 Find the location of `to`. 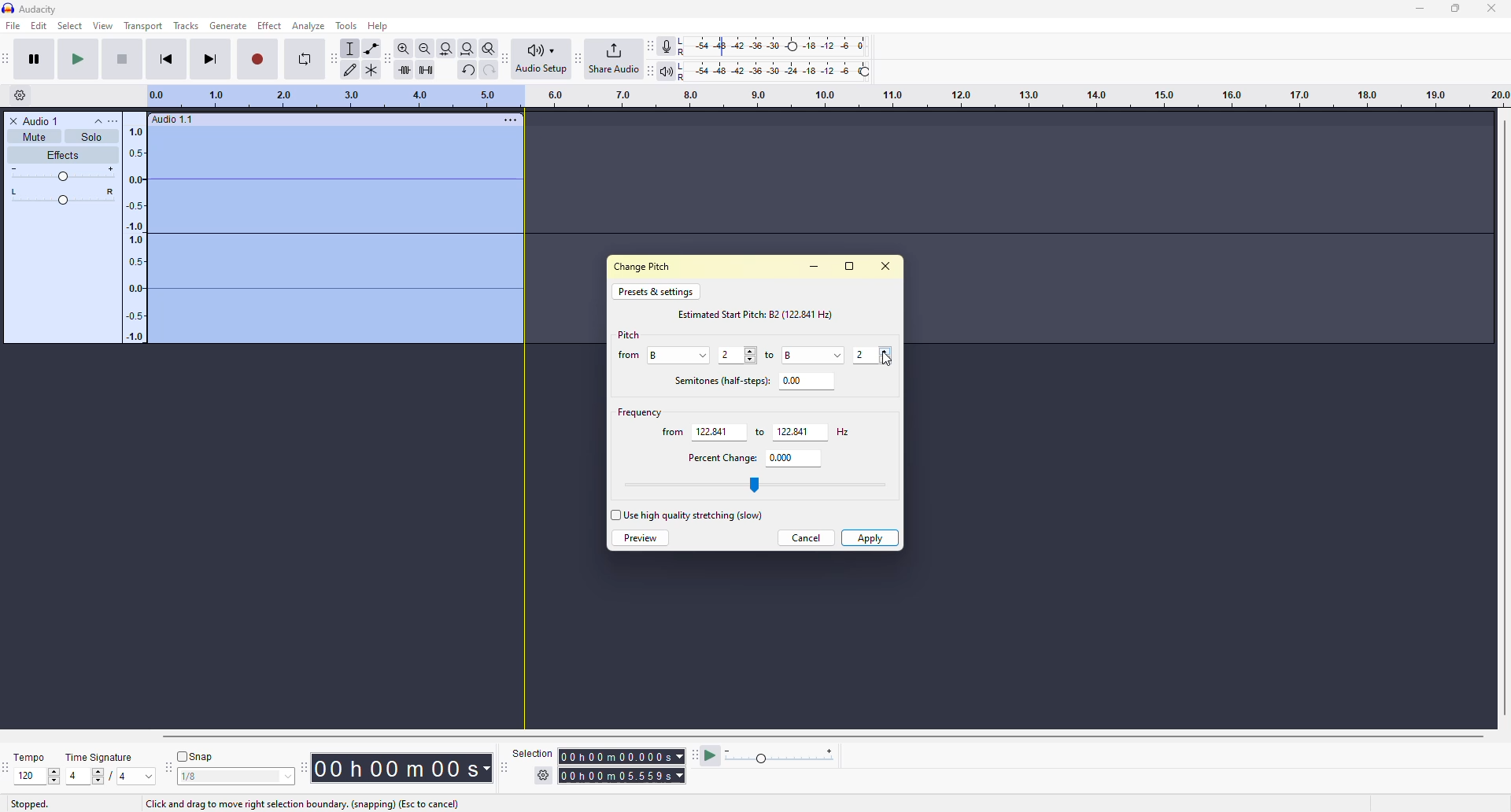

to is located at coordinates (755, 433).